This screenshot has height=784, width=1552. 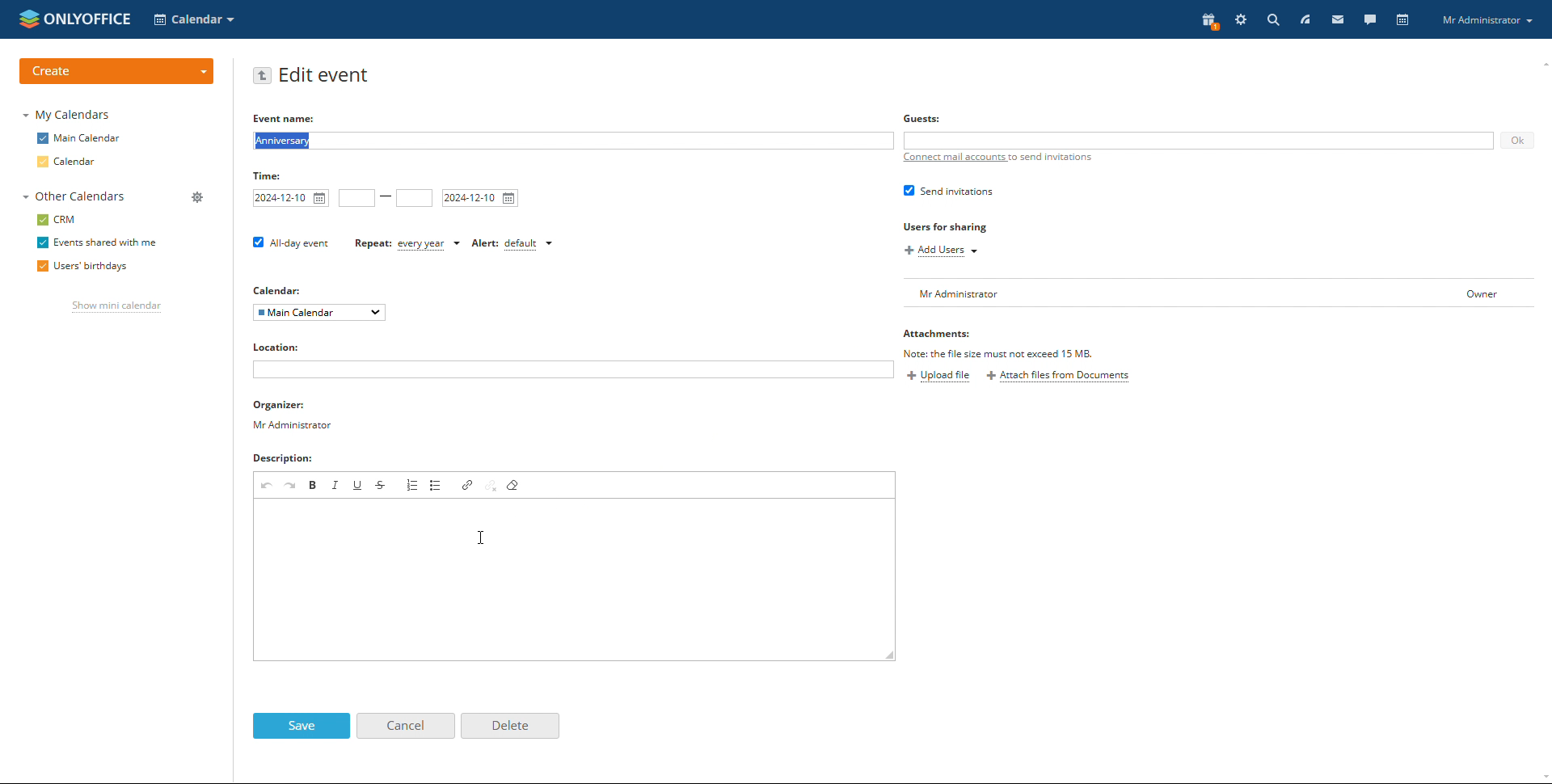 What do you see at coordinates (407, 245) in the screenshot?
I see `event repetition` at bounding box center [407, 245].